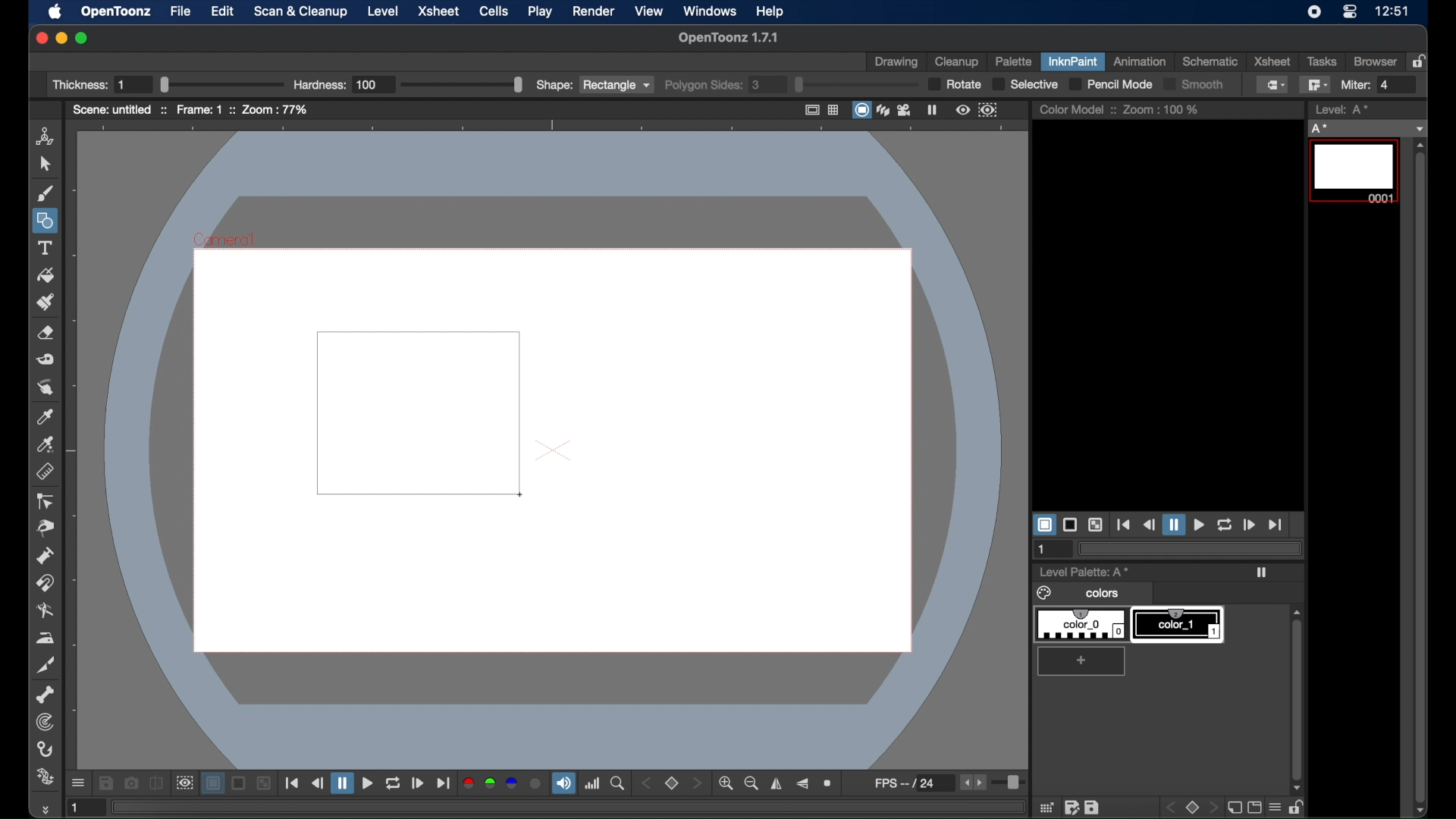 Image resolution: width=1456 pixels, height=819 pixels. Describe the element at coordinates (184, 783) in the screenshot. I see `sub camera view` at that location.